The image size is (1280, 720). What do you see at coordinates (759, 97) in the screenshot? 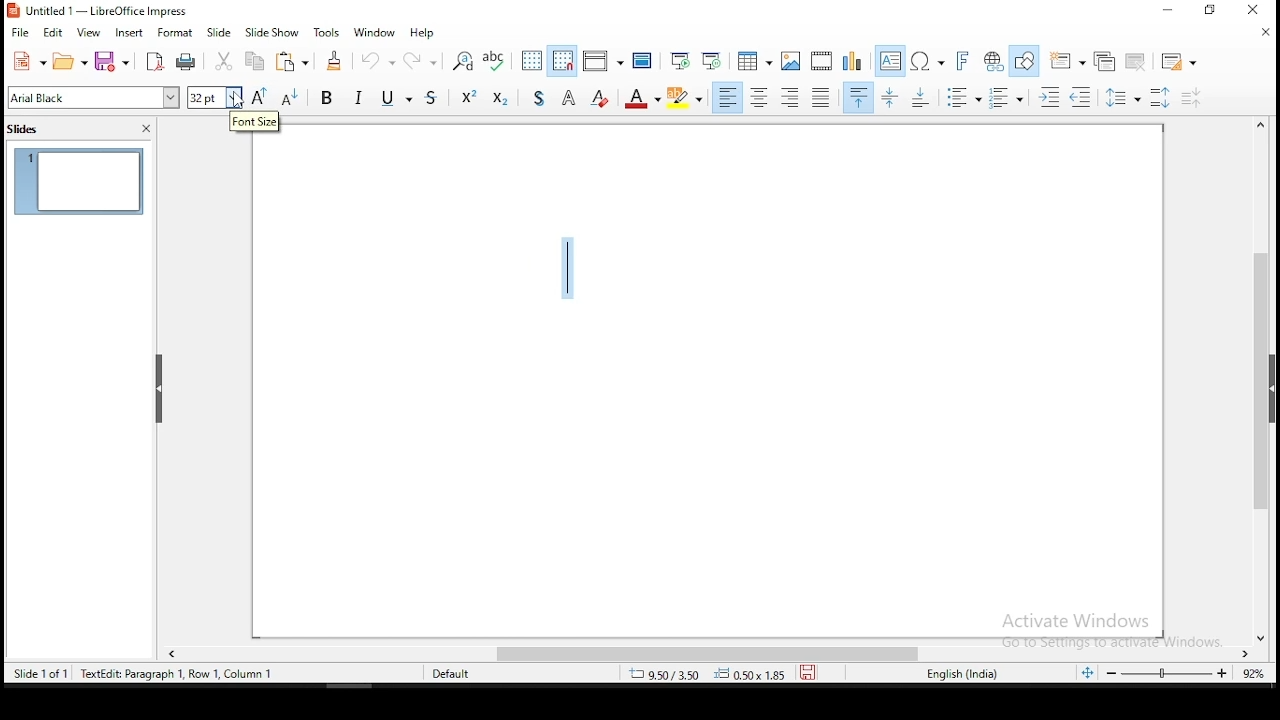
I see `Centre Align` at bounding box center [759, 97].